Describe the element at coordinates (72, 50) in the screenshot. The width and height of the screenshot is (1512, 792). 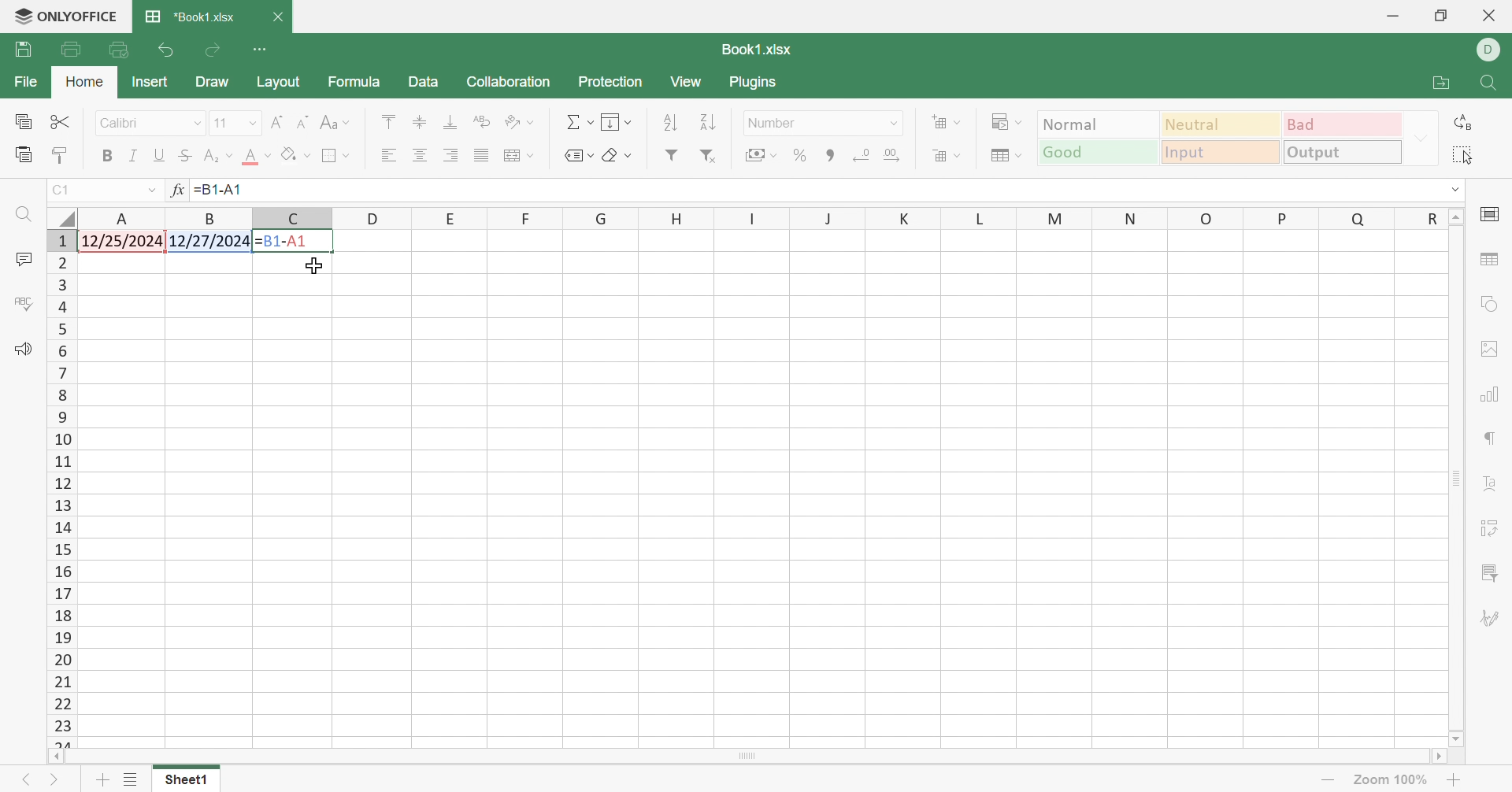
I see `Print` at that location.